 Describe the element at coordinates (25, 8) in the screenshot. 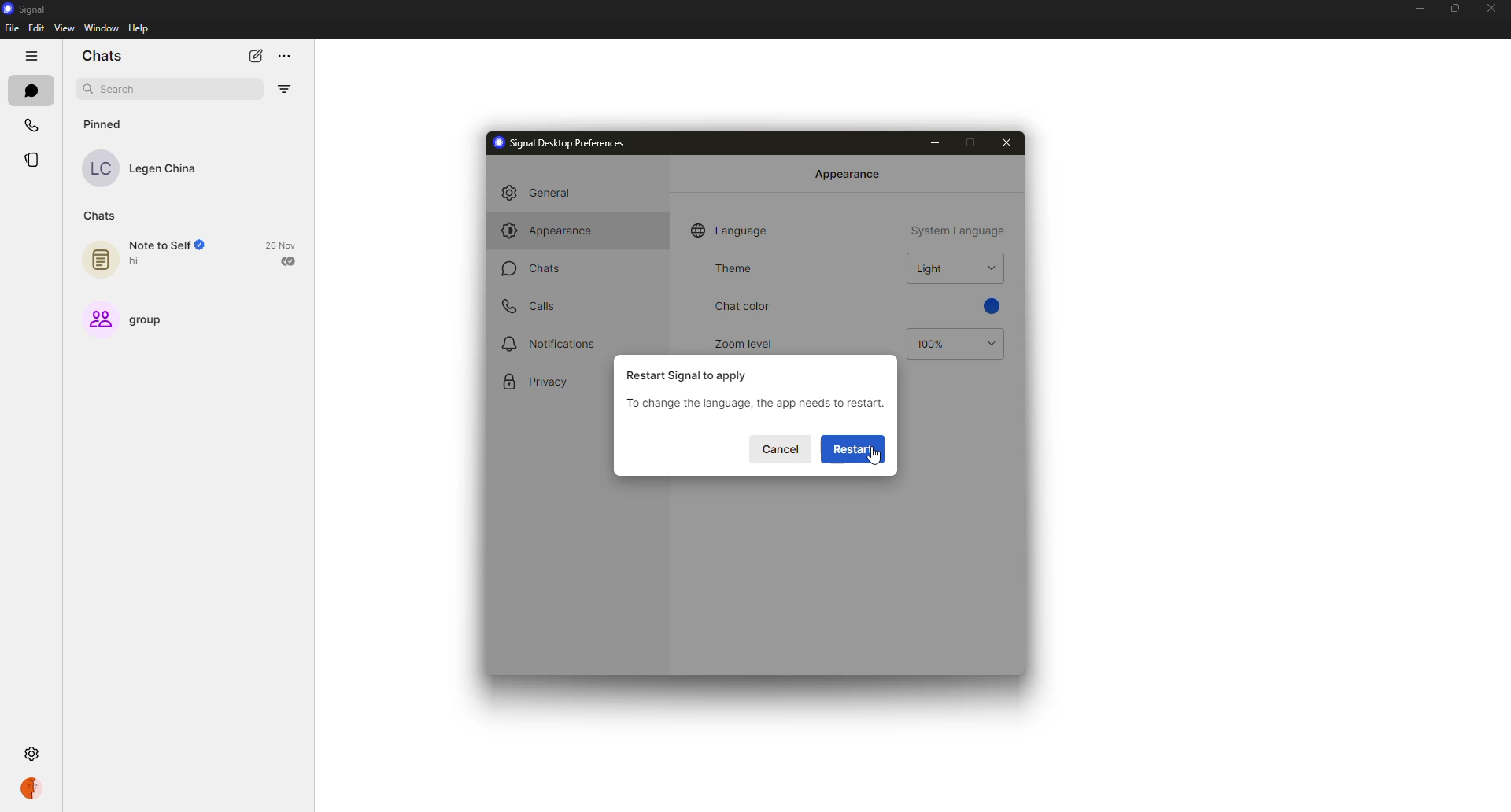

I see `signal` at that location.